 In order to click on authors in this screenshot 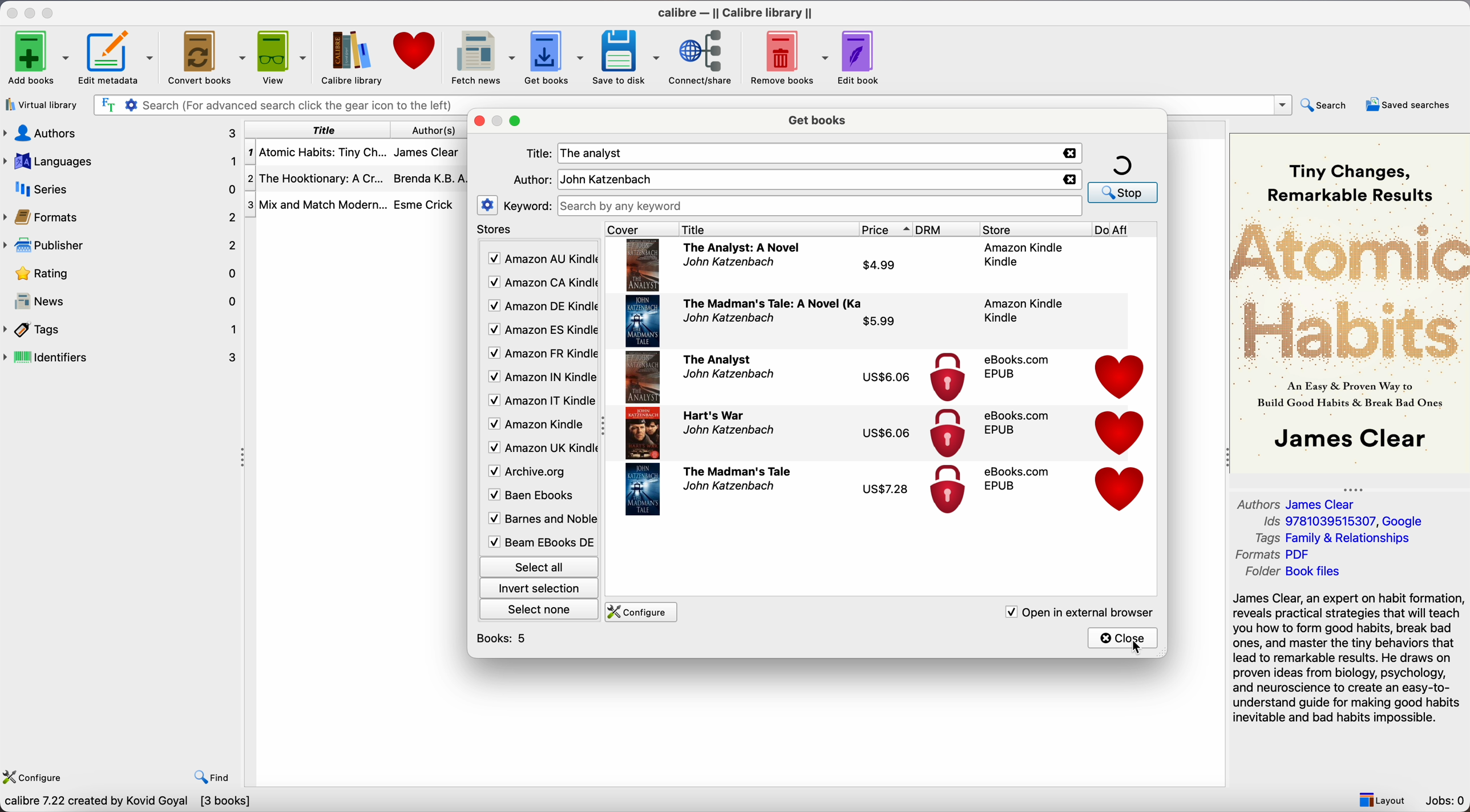, I will do `click(122, 132)`.